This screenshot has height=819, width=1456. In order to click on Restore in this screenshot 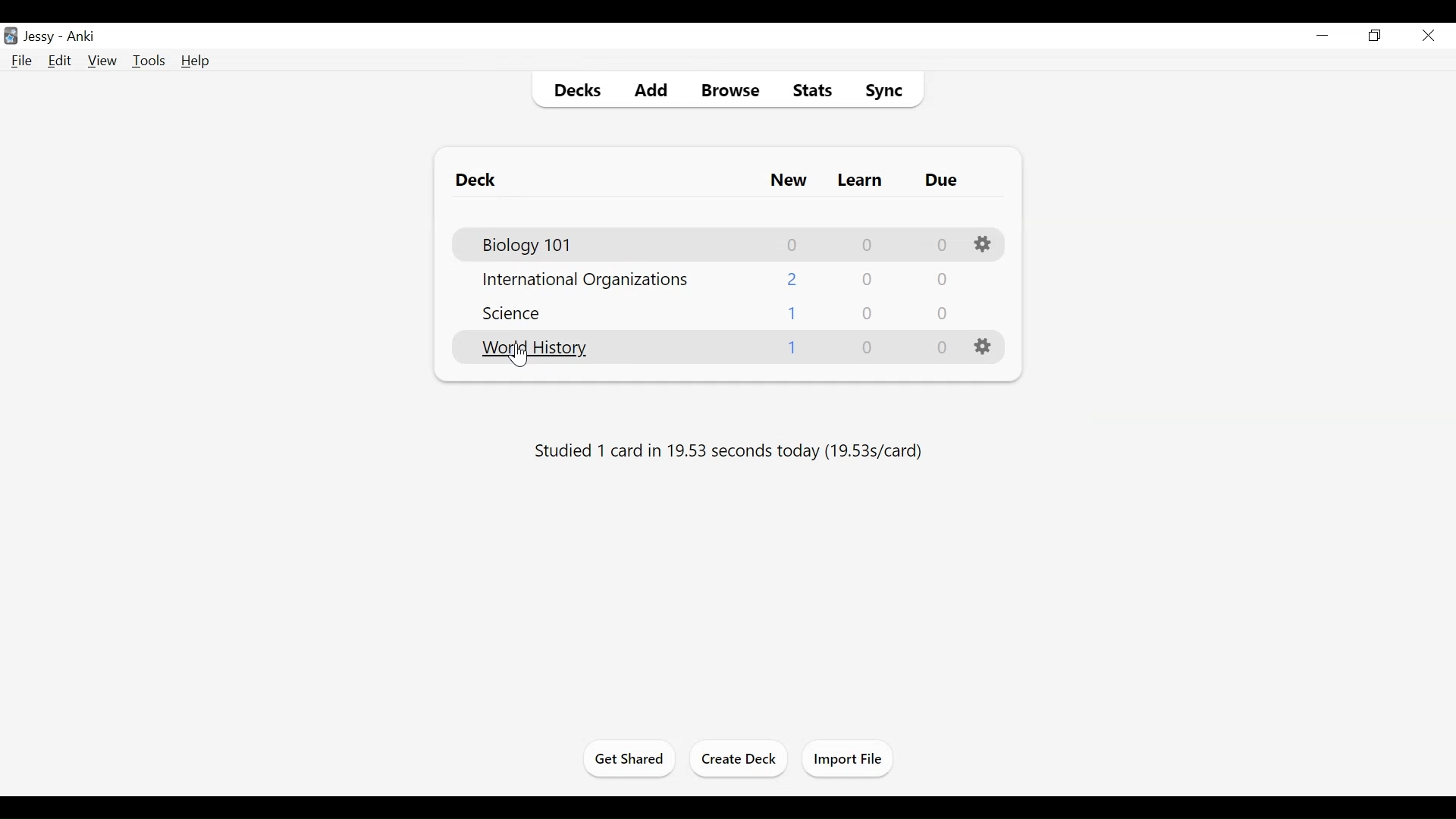, I will do `click(1376, 36)`.